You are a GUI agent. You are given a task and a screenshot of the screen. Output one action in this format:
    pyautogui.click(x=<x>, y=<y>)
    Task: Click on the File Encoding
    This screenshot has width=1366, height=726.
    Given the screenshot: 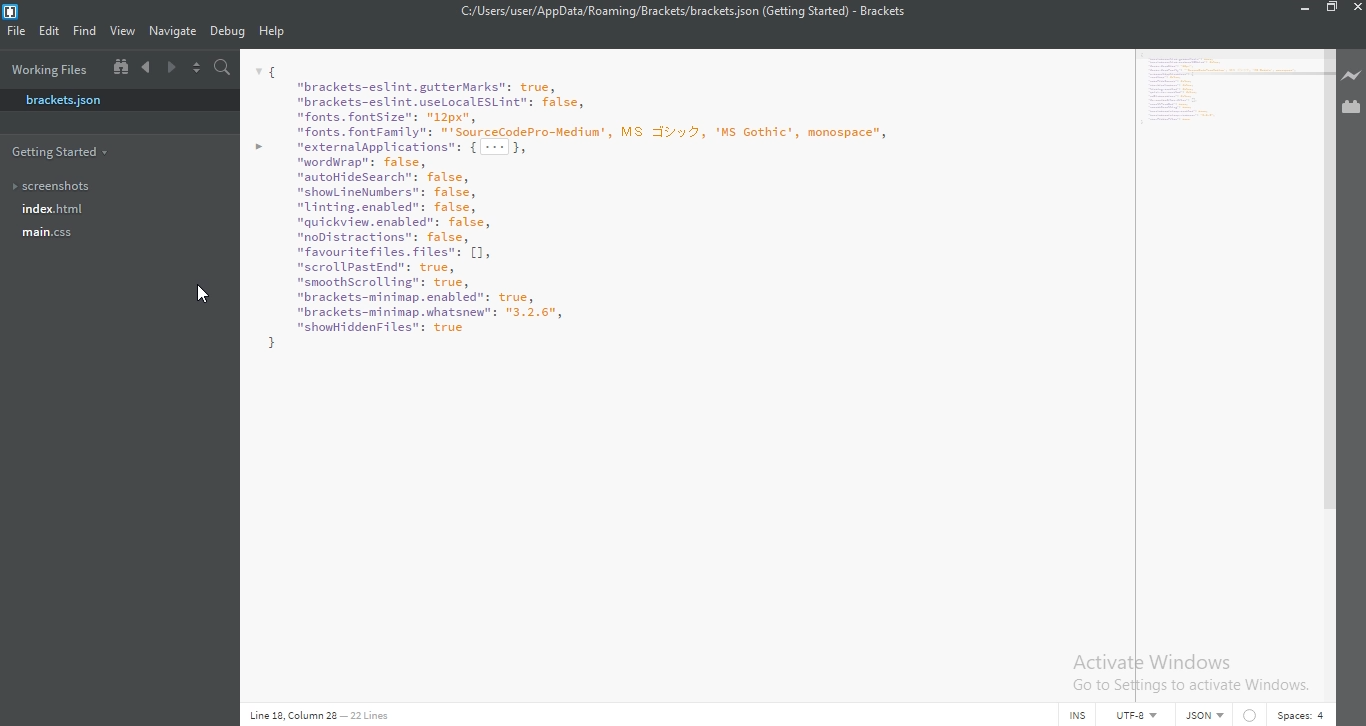 What is the action you would take?
    pyautogui.click(x=1140, y=716)
    